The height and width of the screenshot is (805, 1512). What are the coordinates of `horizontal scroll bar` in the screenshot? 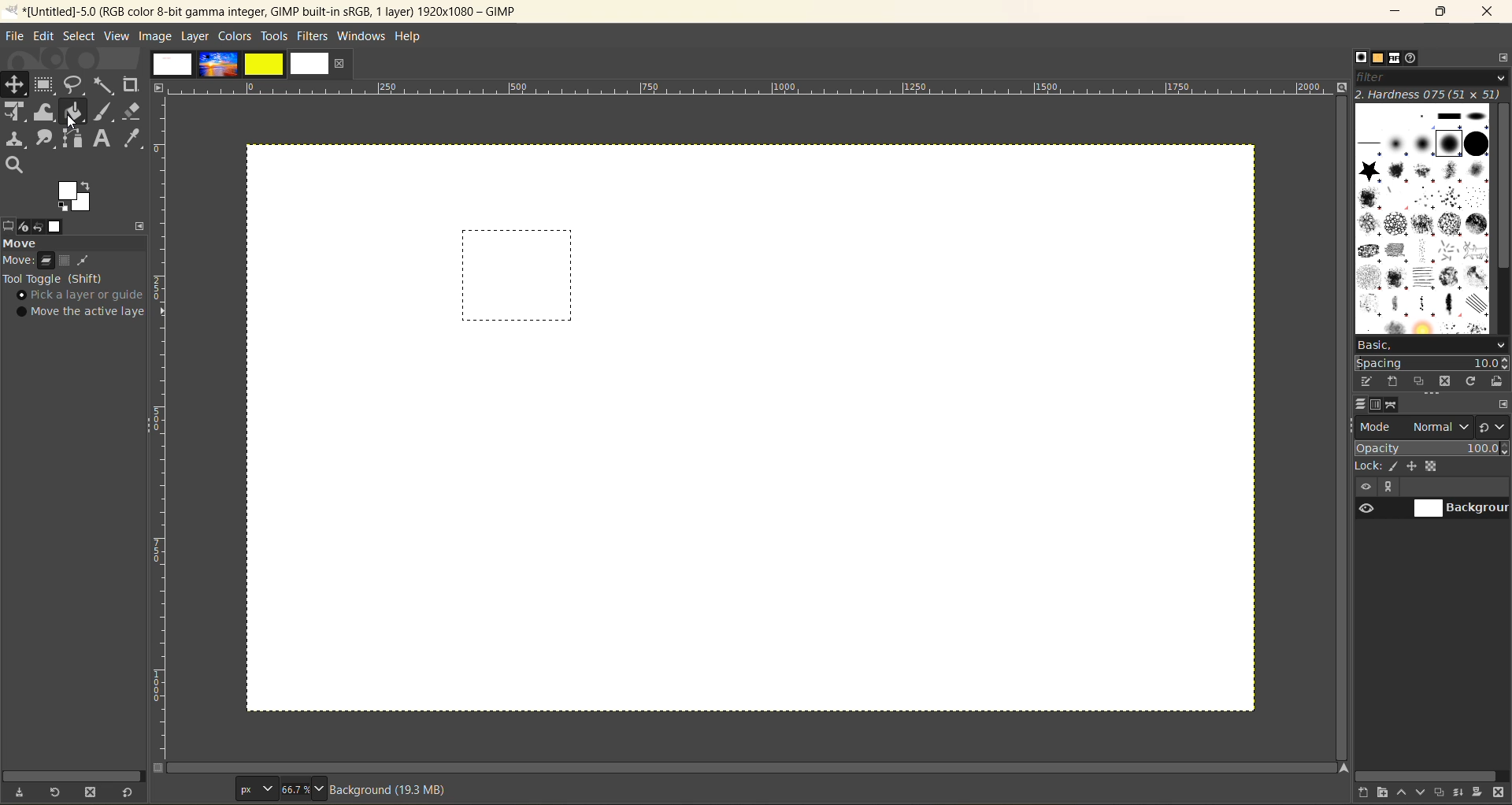 It's located at (1428, 775).